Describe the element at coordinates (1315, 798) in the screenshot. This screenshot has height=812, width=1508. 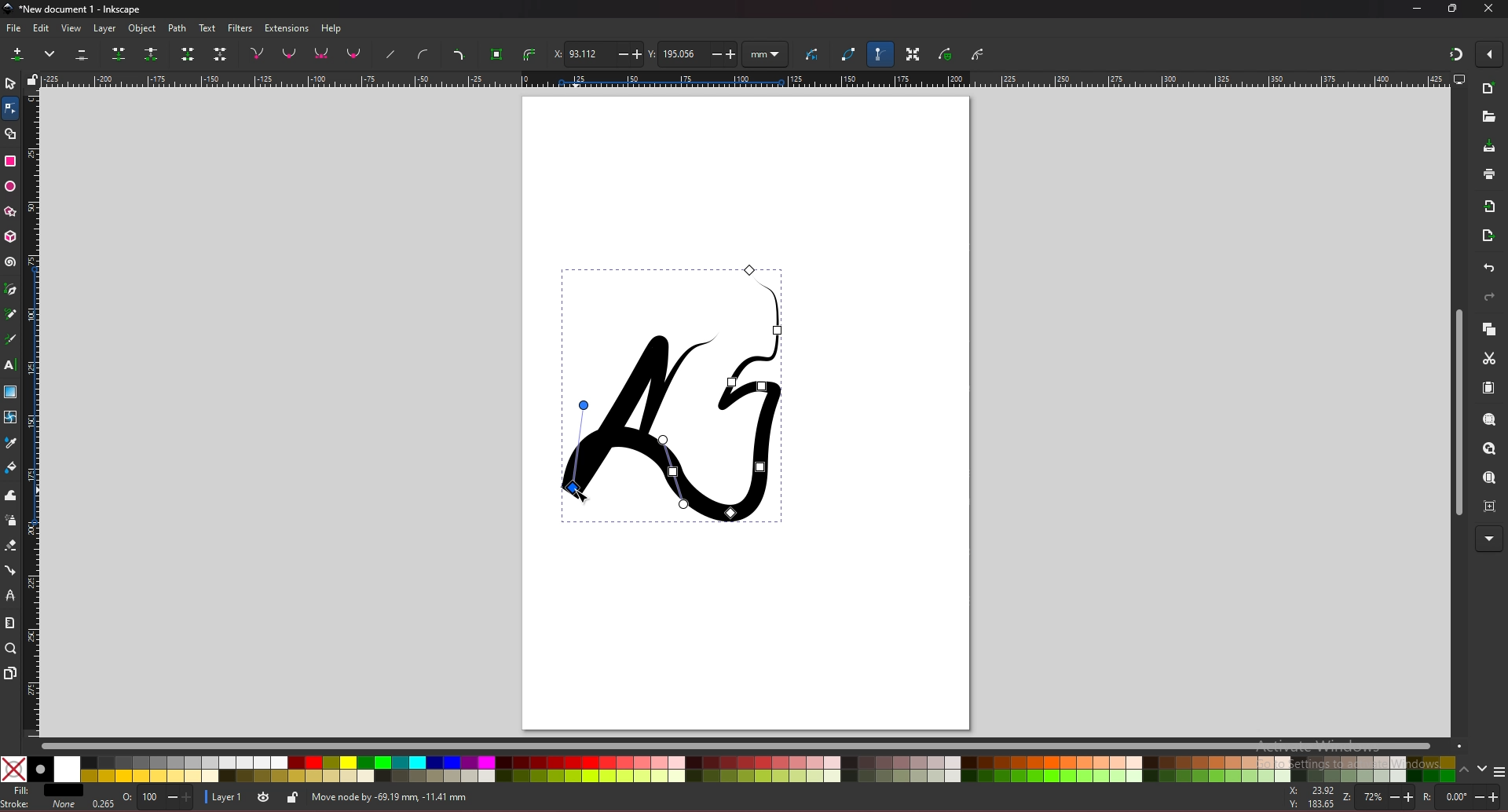
I see `x and y coordinates` at that location.